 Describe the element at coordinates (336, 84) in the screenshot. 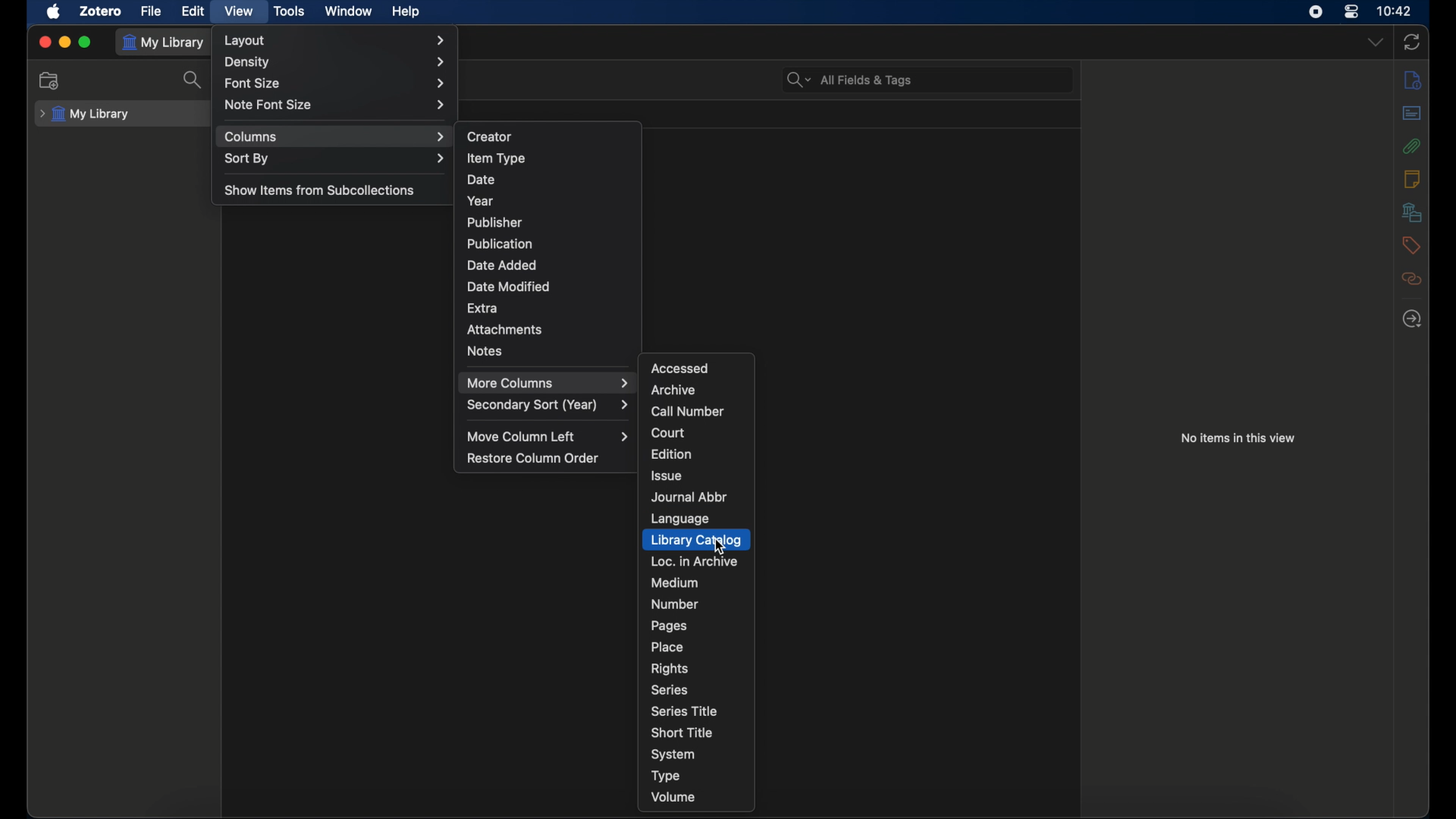

I see `font size` at that location.